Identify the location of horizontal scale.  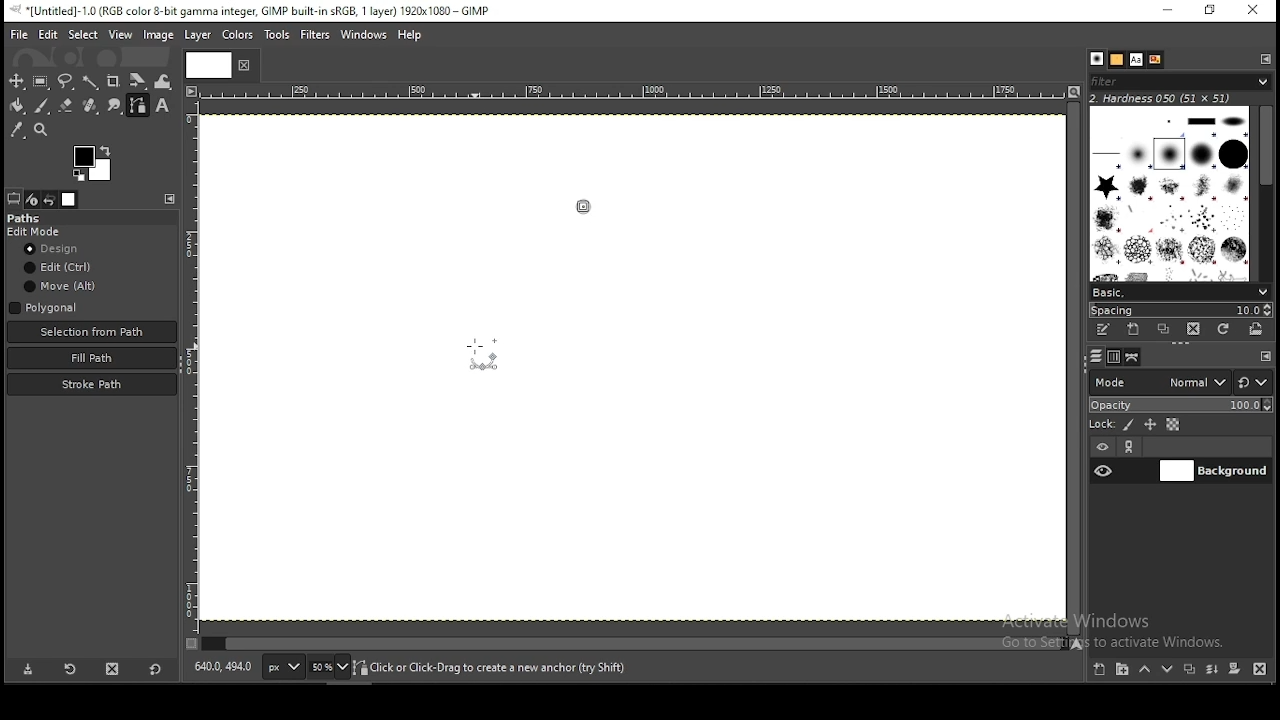
(631, 94).